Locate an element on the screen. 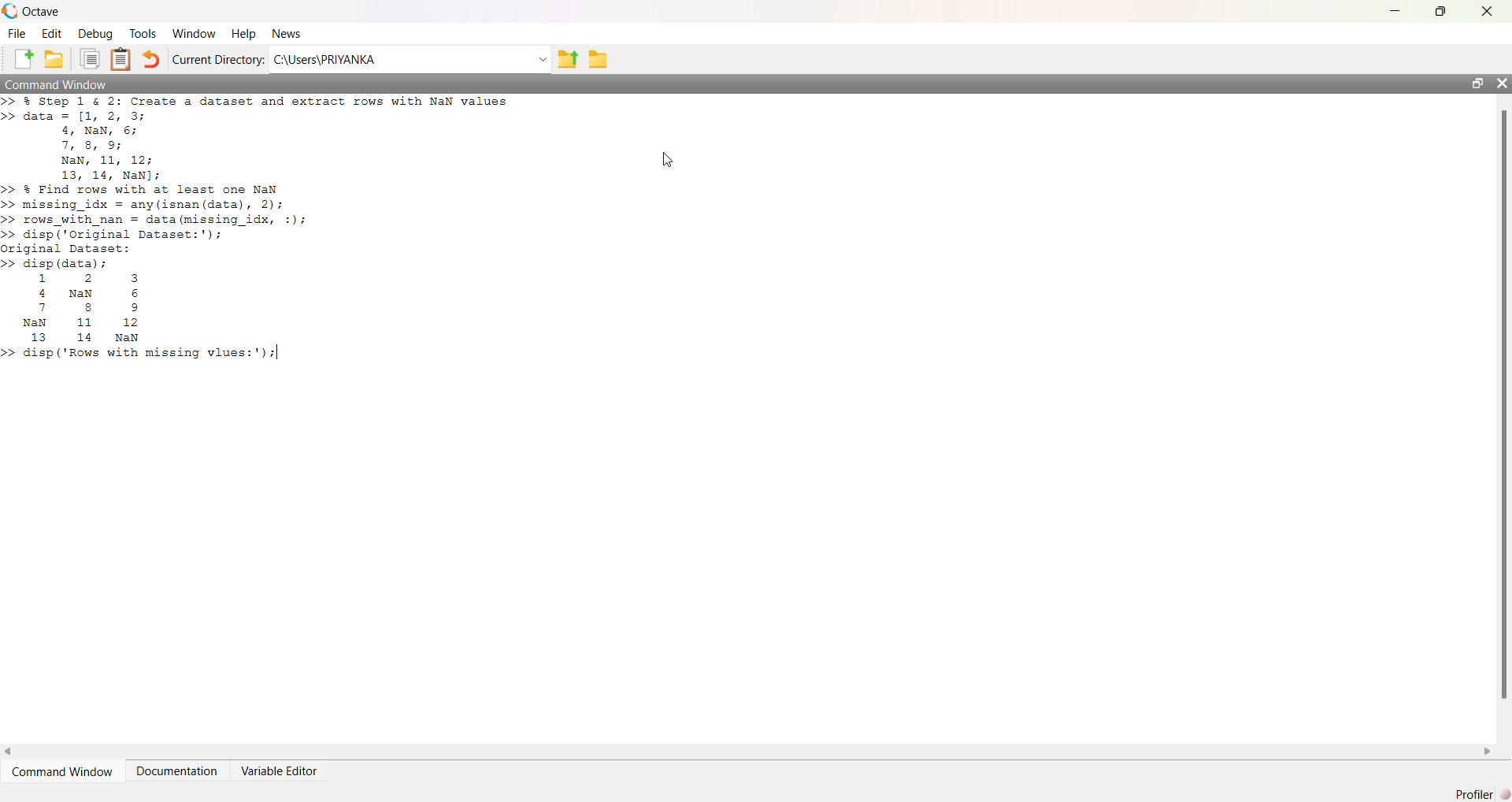  File is located at coordinates (17, 34).